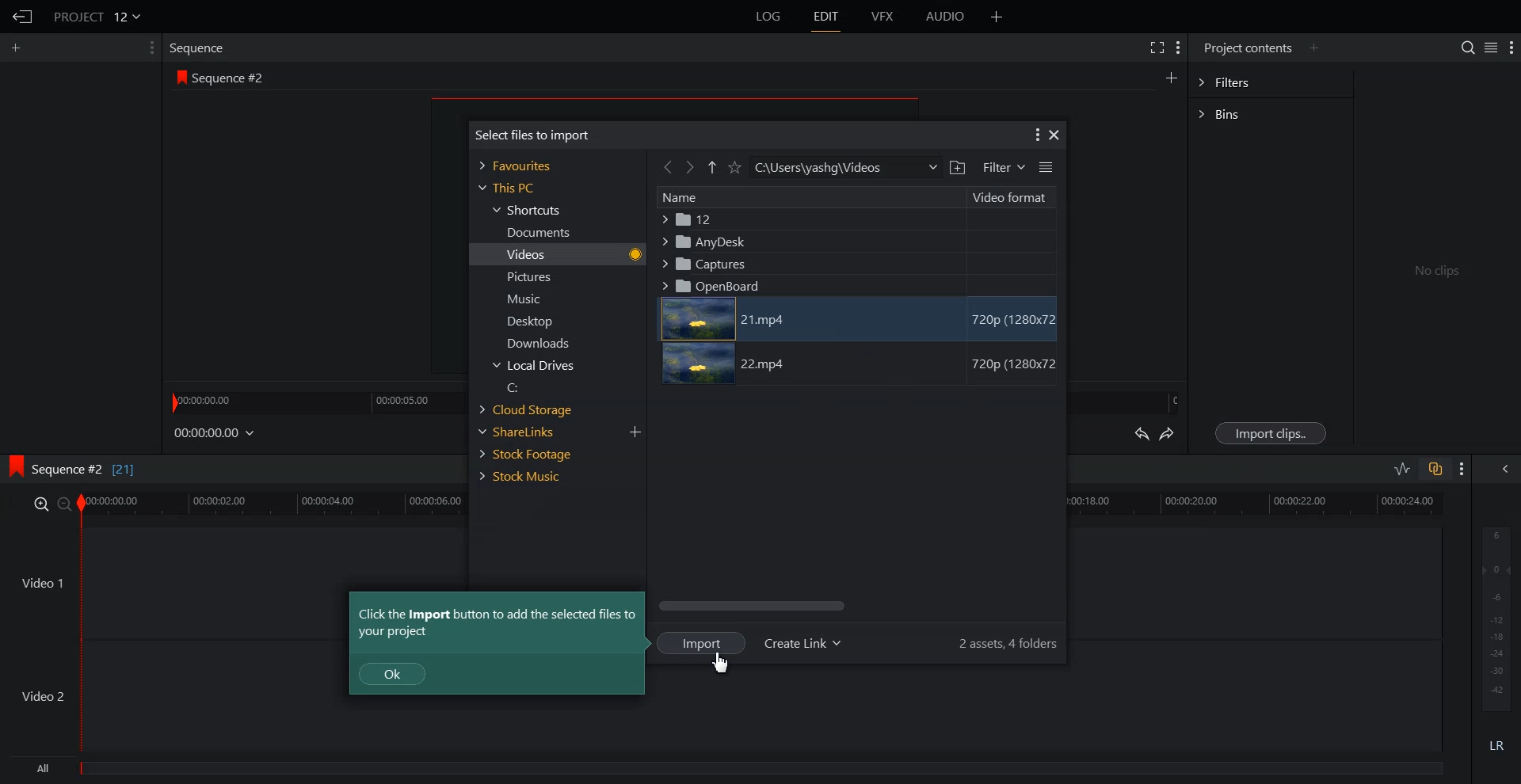  I want to click on 12, so click(856, 220).